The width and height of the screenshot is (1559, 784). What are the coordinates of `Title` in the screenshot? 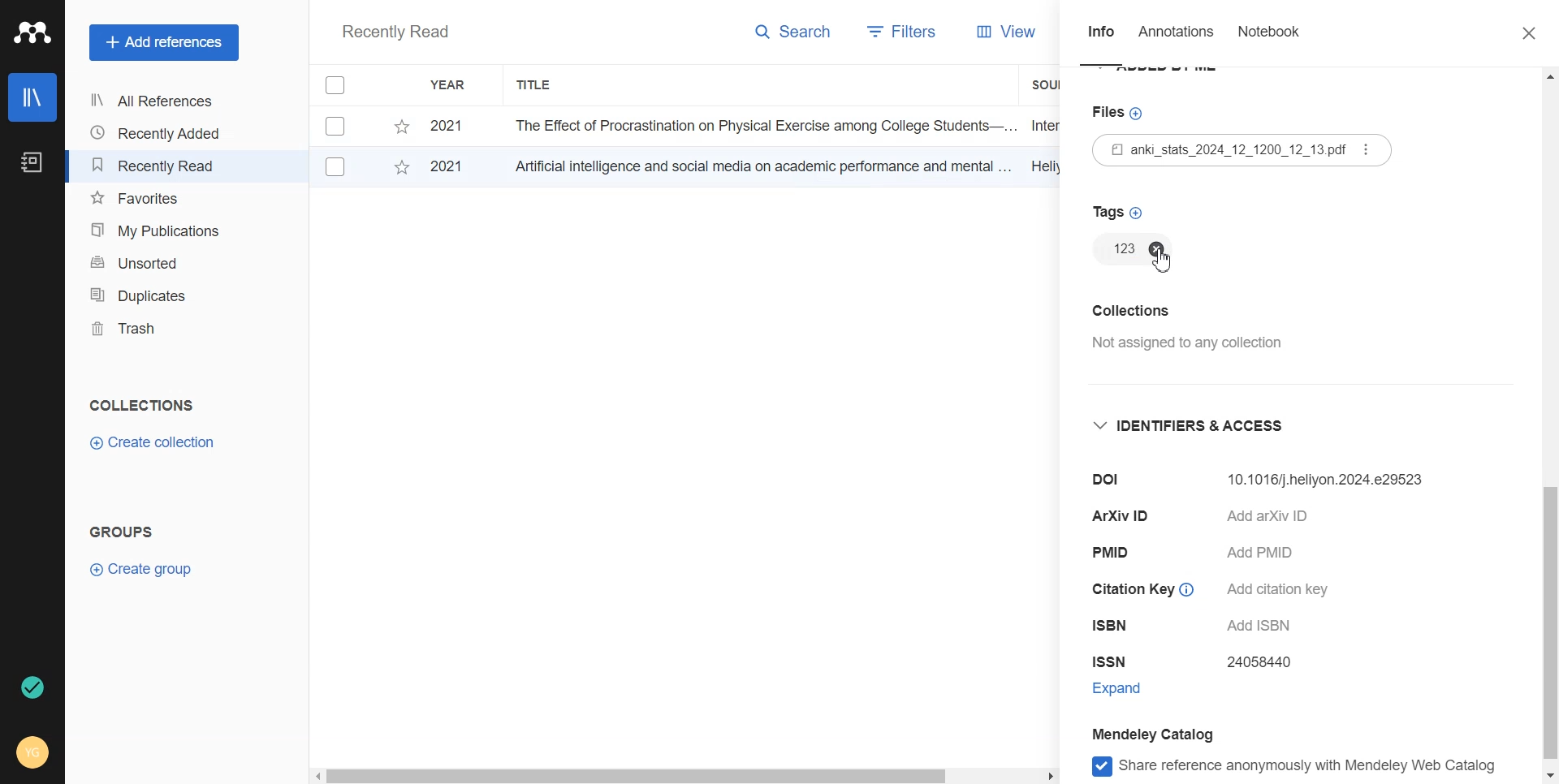 It's located at (535, 85).